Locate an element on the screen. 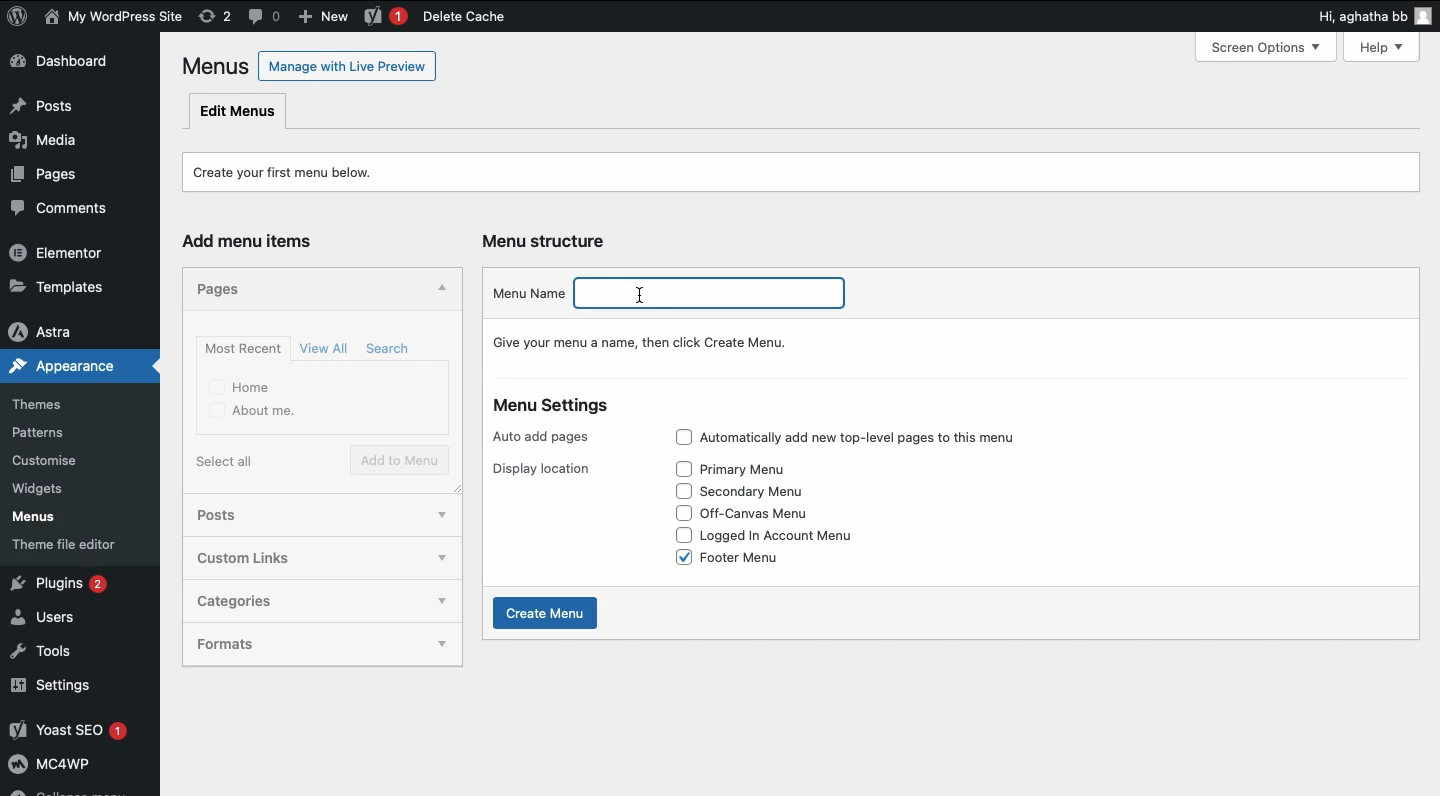 The width and height of the screenshot is (1440, 796). Theme file editor is located at coordinates (81, 548).